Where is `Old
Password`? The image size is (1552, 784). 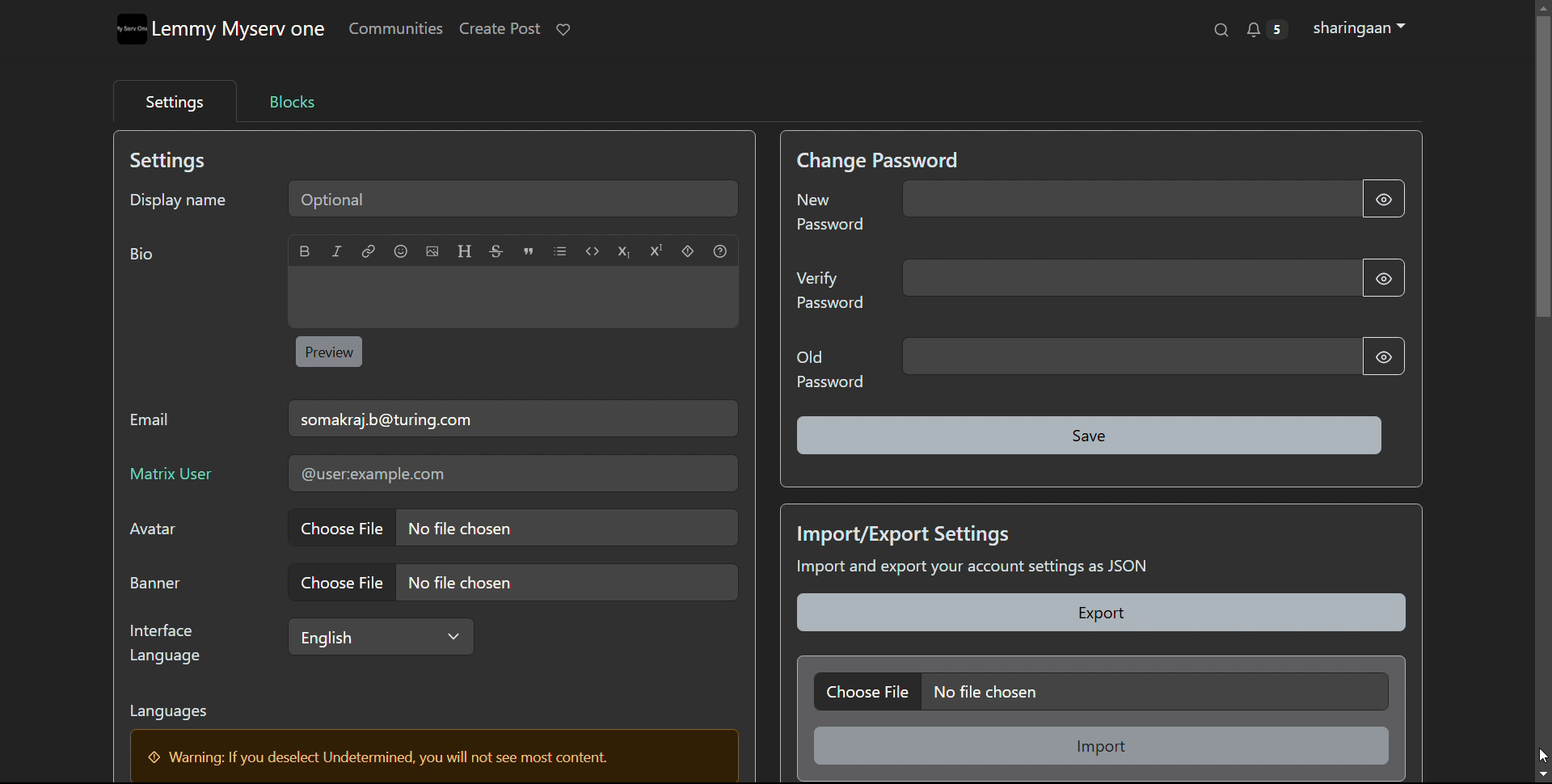
Old
Password is located at coordinates (824, 371).